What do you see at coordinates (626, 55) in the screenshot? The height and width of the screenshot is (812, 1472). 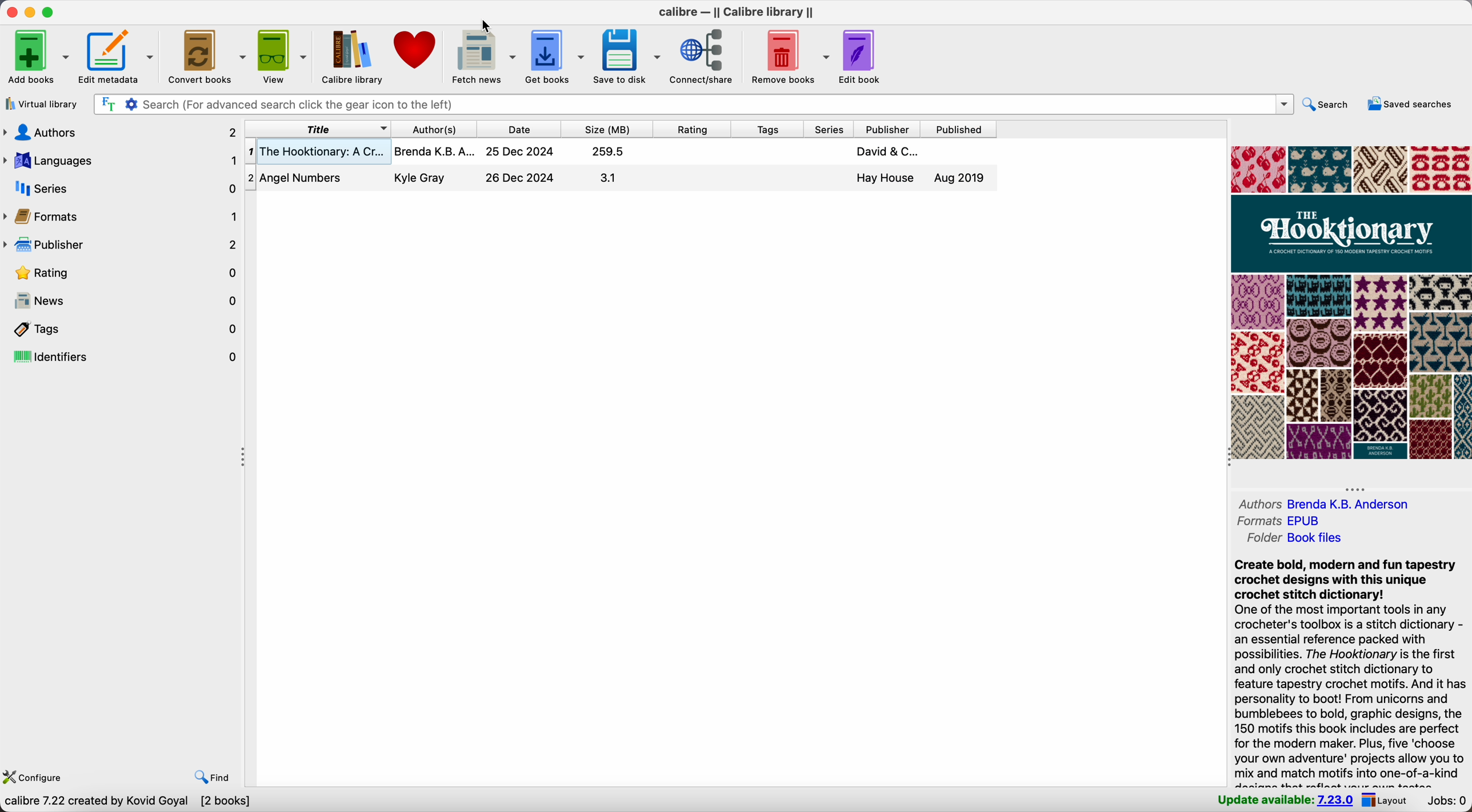 I see `save to disk` at bounding box center [626, 55].